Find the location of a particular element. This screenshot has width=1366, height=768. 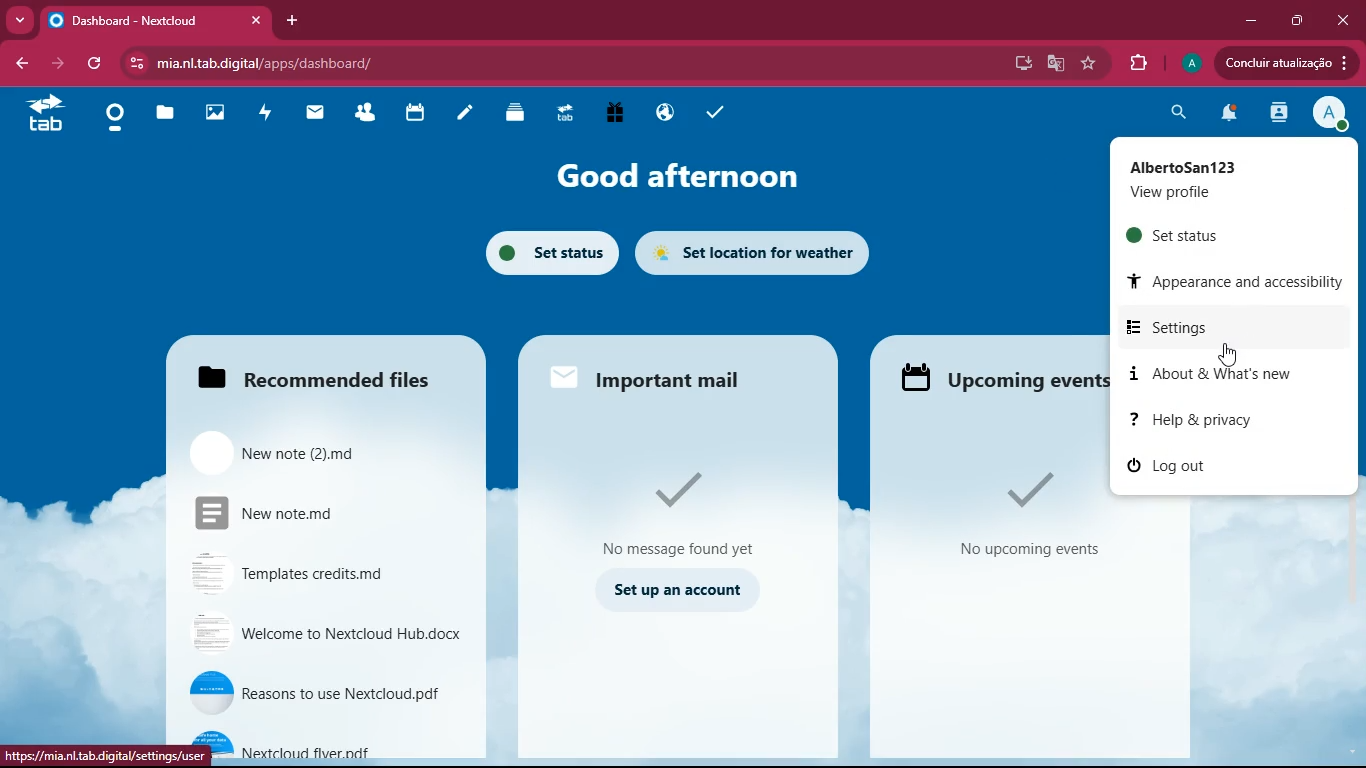

layers is located at coordinates (510, 115).